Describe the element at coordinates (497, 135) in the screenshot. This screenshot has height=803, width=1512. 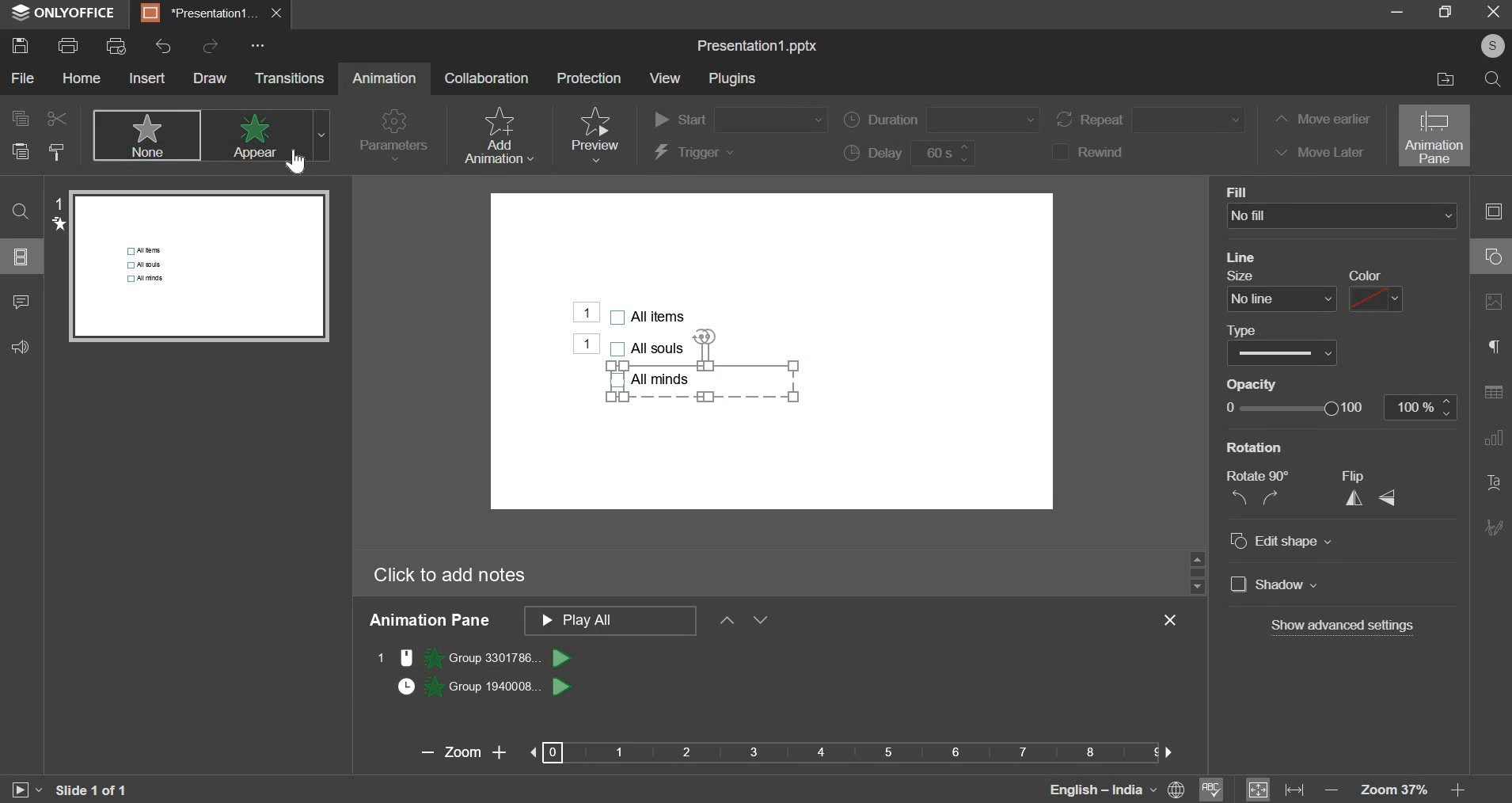
I see `add animation` at that location.